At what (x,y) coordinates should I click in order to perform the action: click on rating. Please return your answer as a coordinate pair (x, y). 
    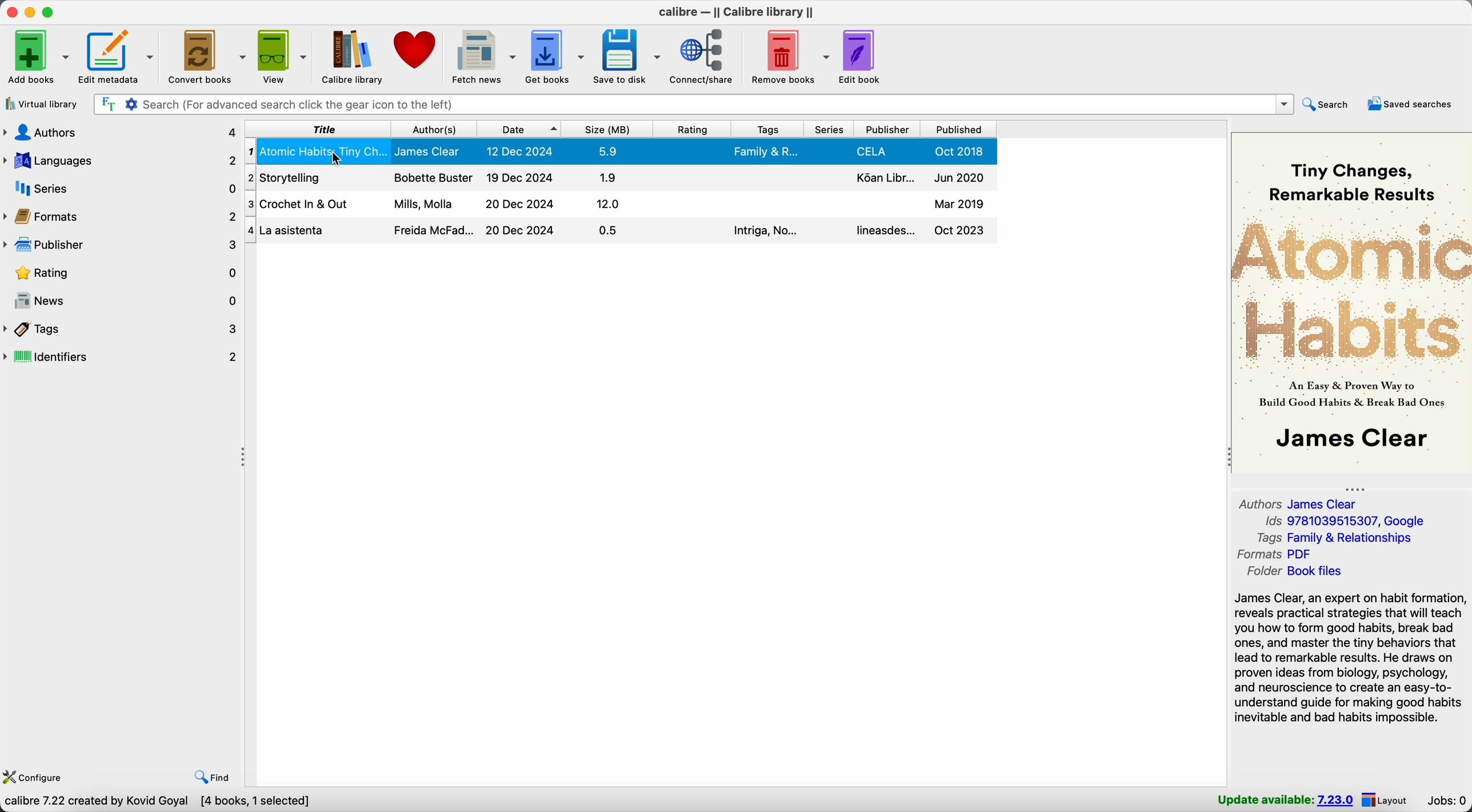
    Looking at the image, I should click on (121, 274).